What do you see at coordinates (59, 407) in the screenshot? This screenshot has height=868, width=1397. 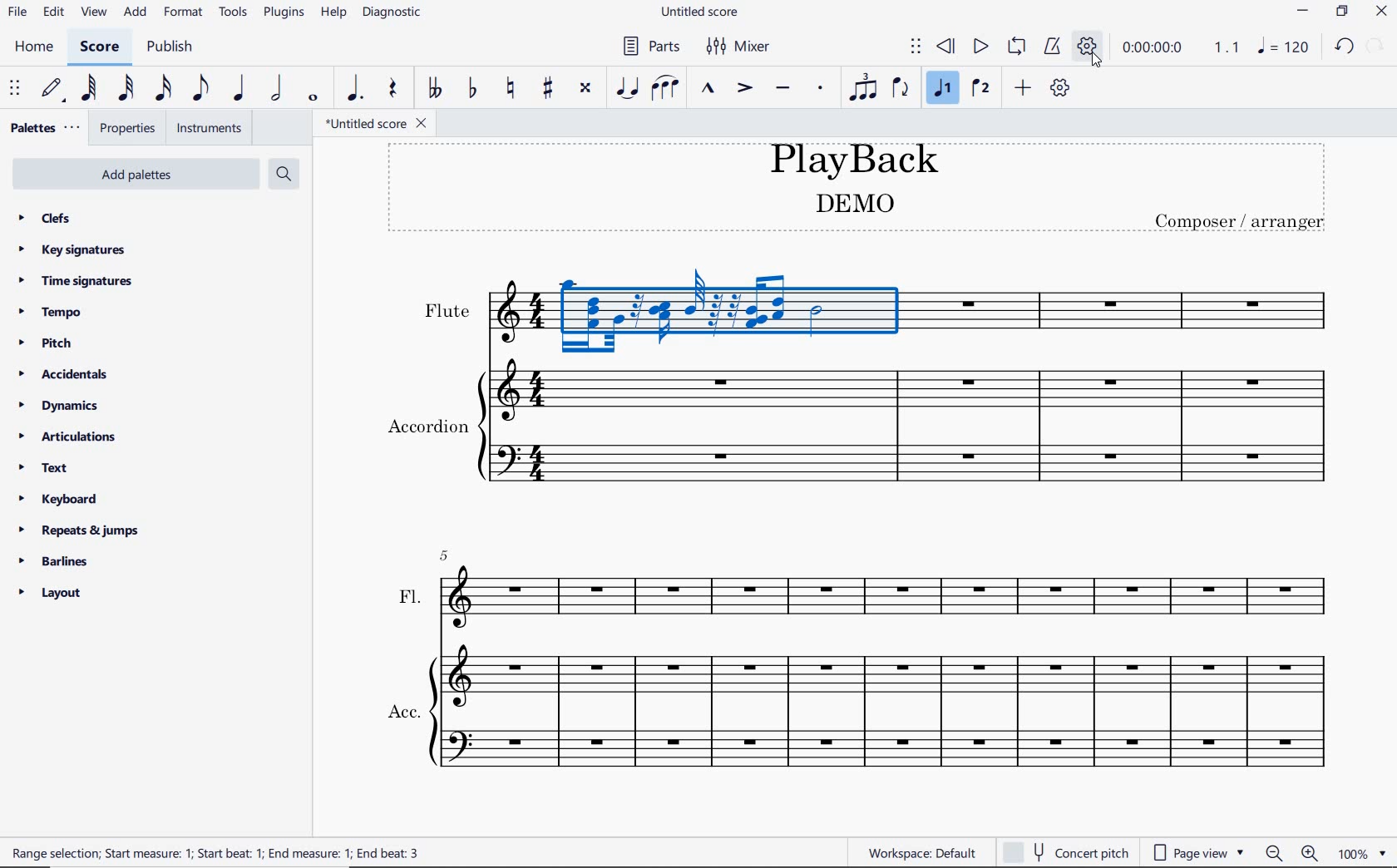 I see `dynamics` at bounding box center [59, 407].